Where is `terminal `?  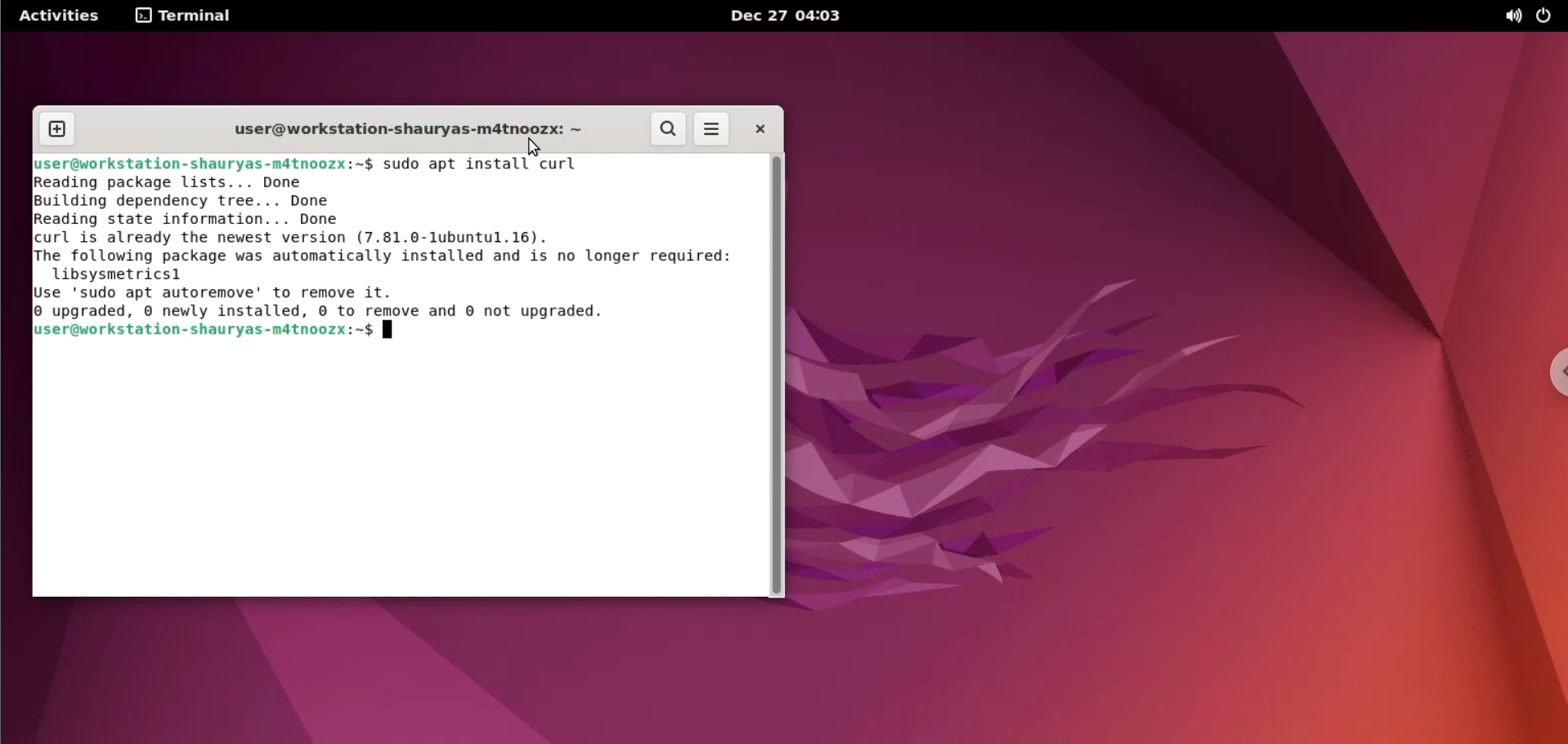 terminal  is located at coordinates (186, 17).